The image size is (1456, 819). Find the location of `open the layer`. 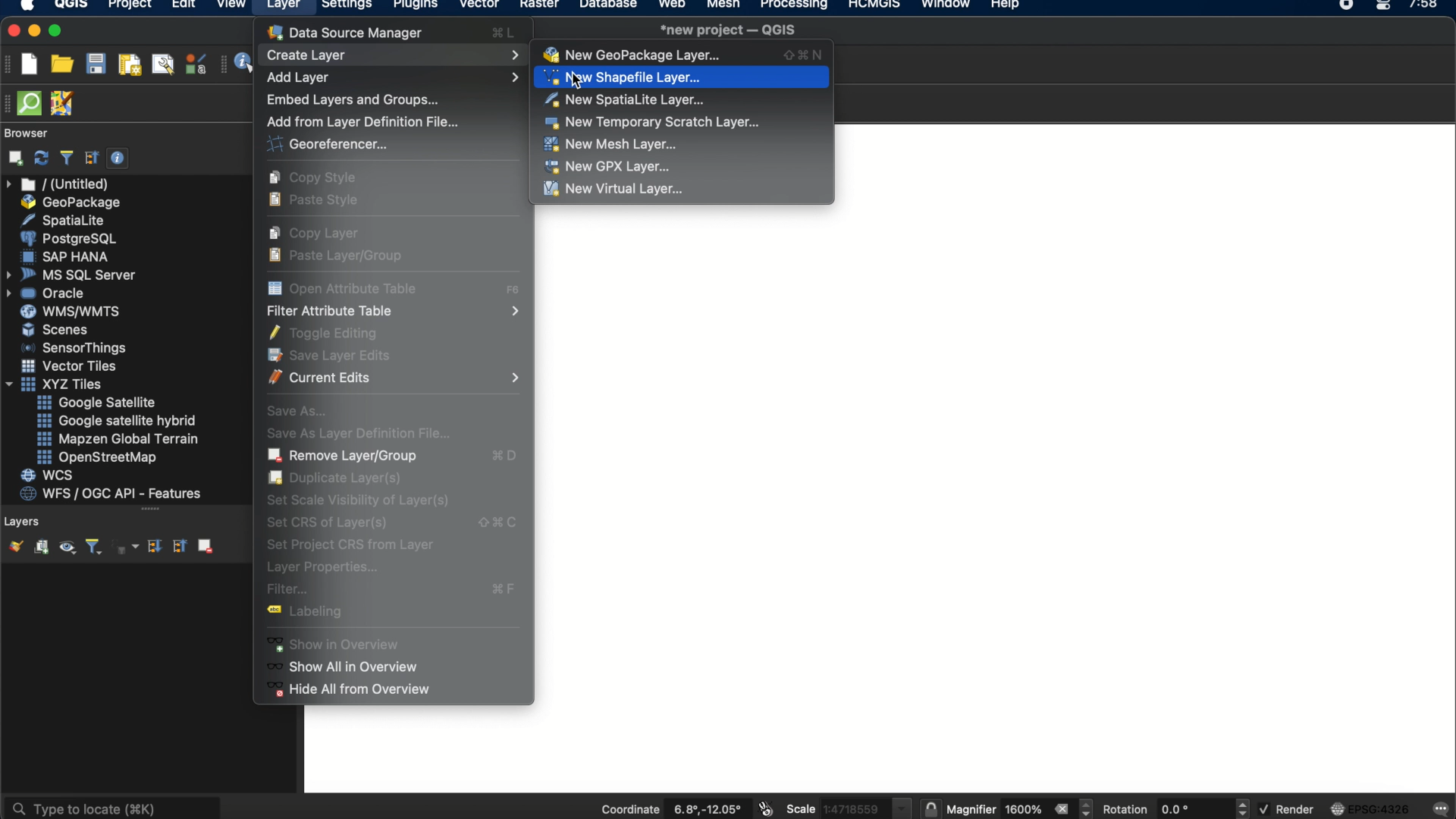

open the layer is located at coordinates (12, 546).